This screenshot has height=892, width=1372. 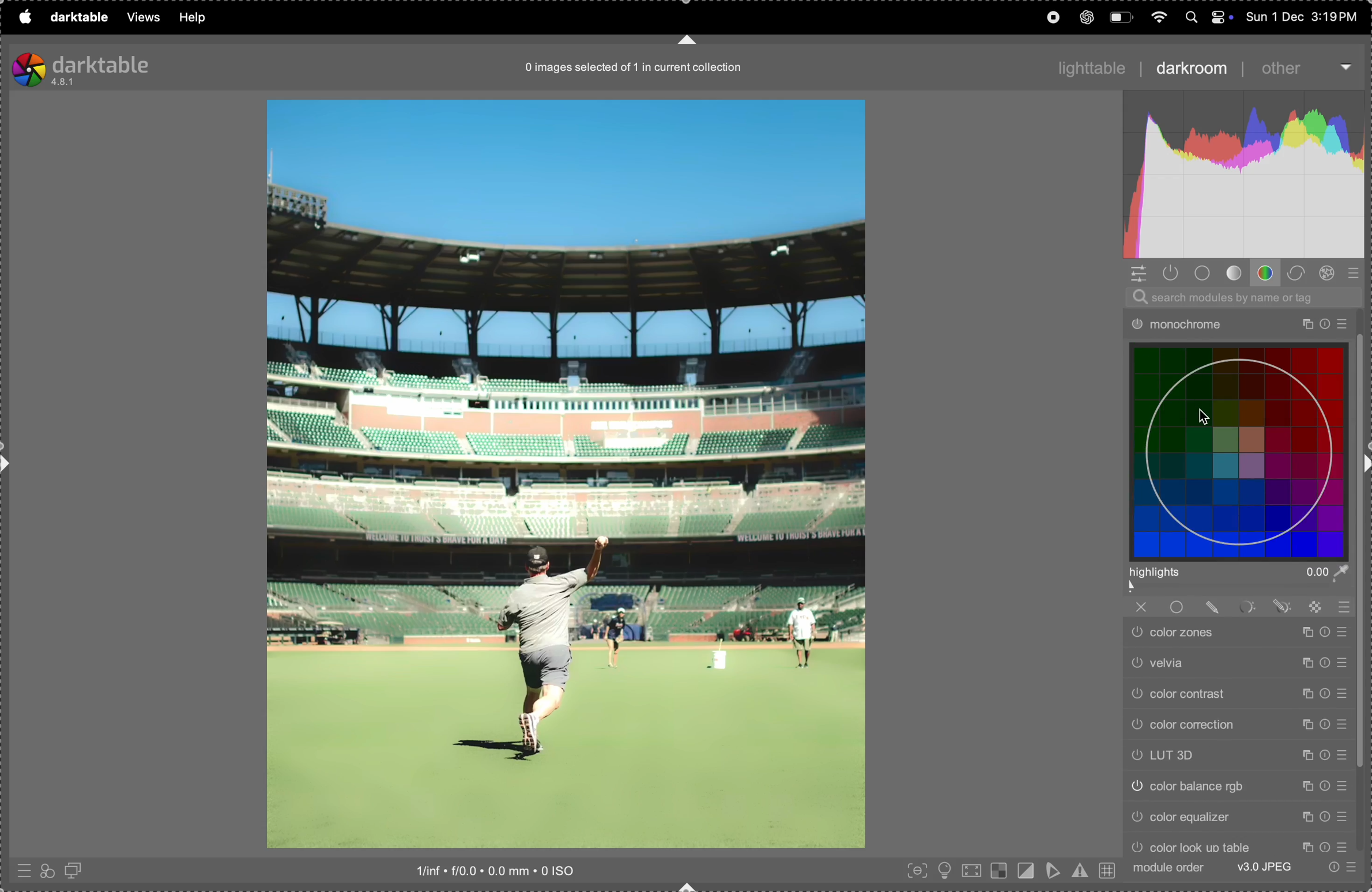 I want to click on image collection, so click(x=627, y=71).